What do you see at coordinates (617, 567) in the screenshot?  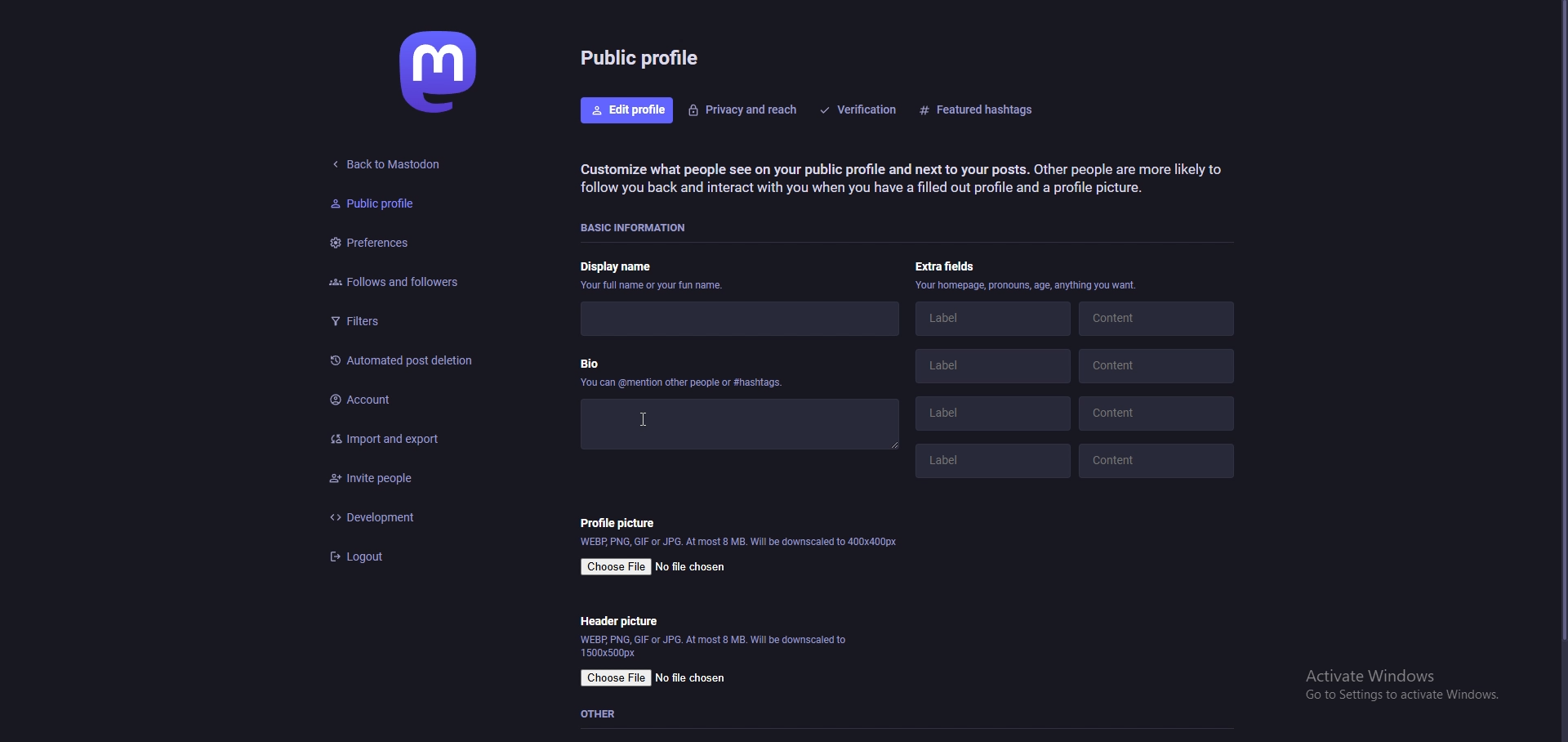 I see `choose file` at bounding box center [617, 567].